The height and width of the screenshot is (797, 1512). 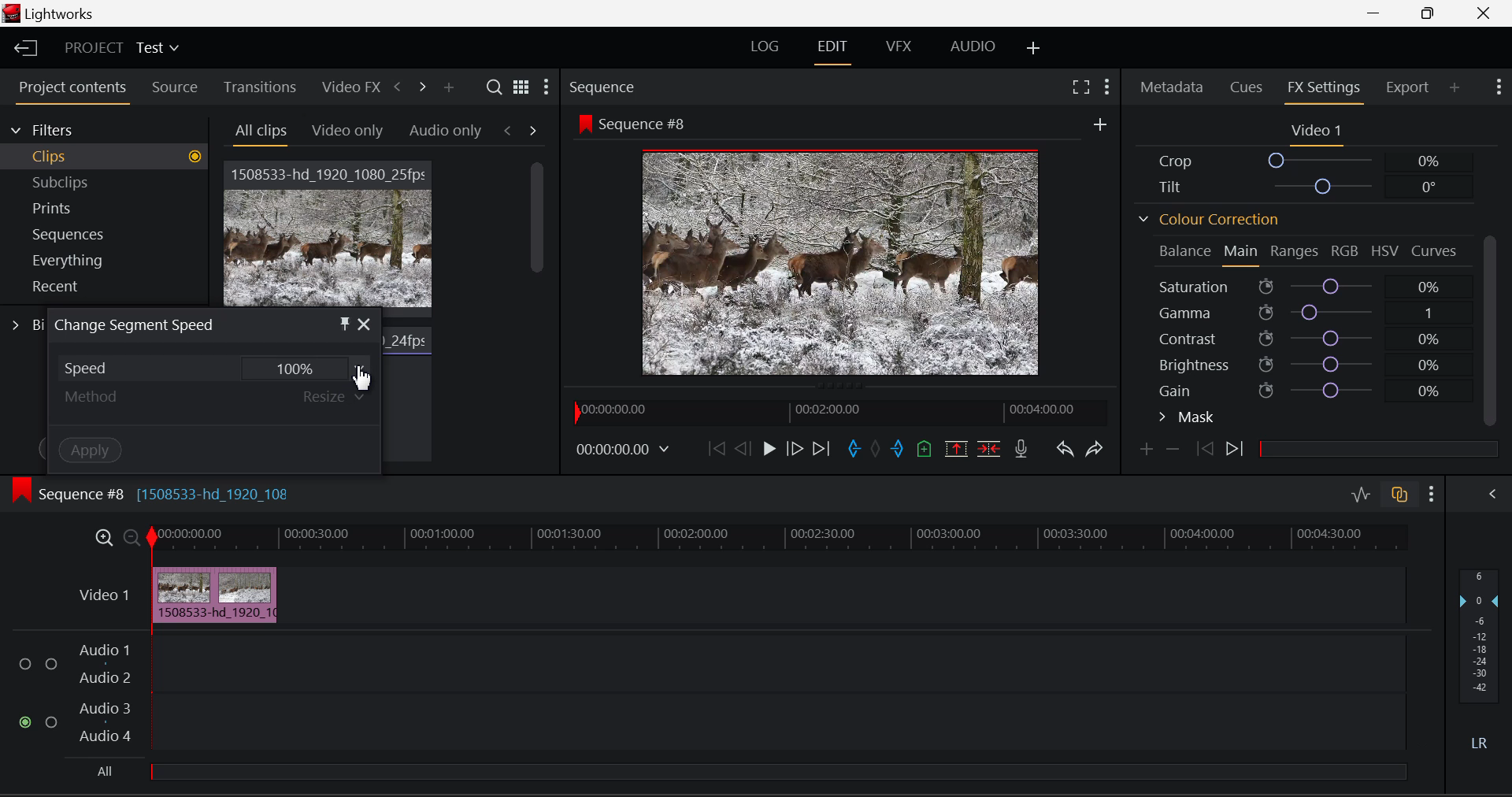 What do you see at coordinates (1320, 88) in the screenshot?
I see `FX Settings` at bounding box center [1320, 88].